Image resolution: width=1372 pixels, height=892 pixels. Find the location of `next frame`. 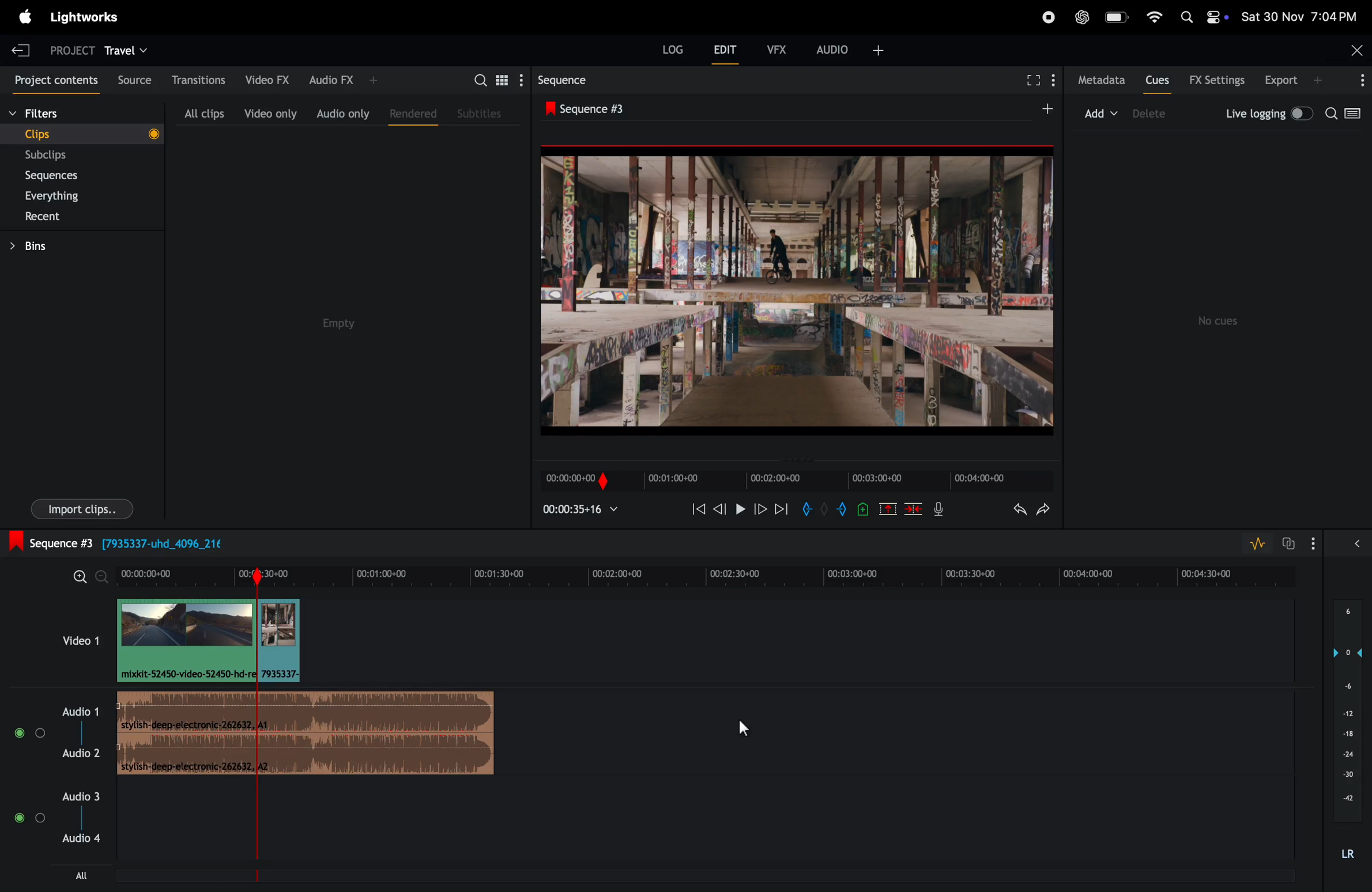

next frame is located at coordinates (782, 509).